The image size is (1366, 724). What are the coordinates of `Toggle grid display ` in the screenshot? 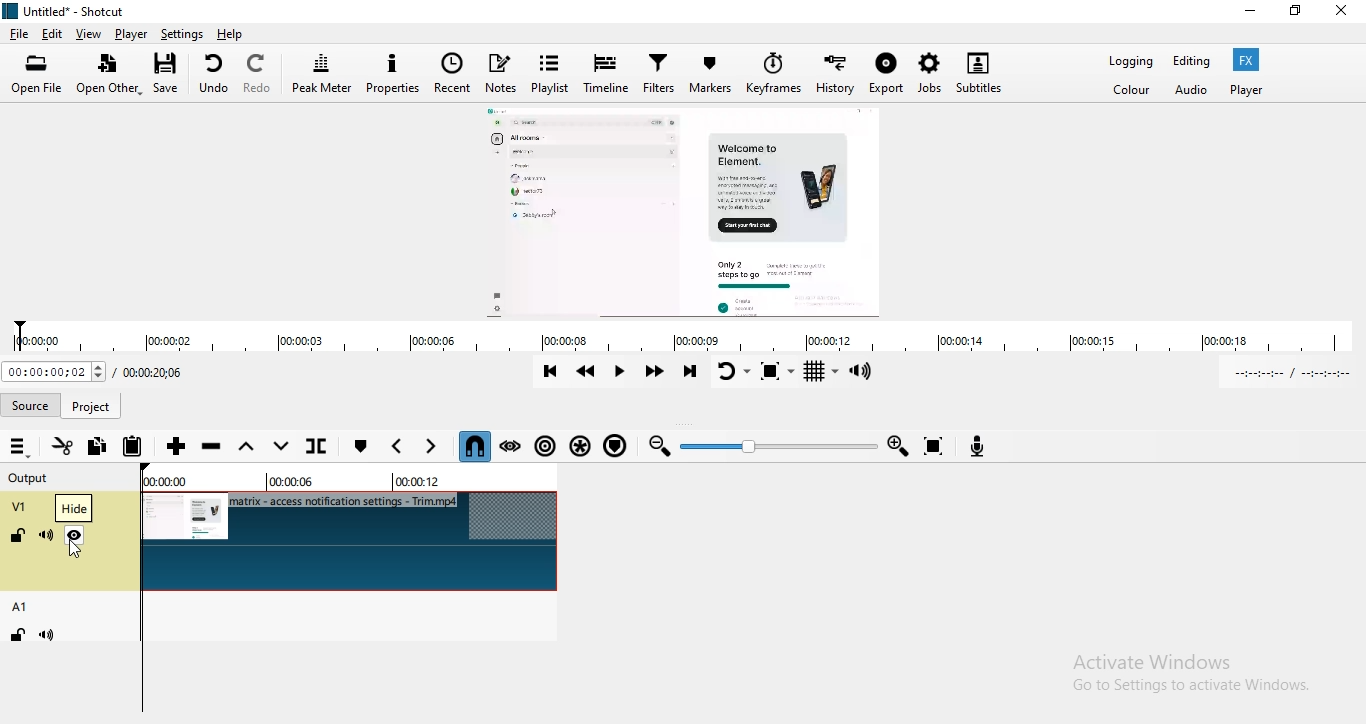 It's located at (821, 374).